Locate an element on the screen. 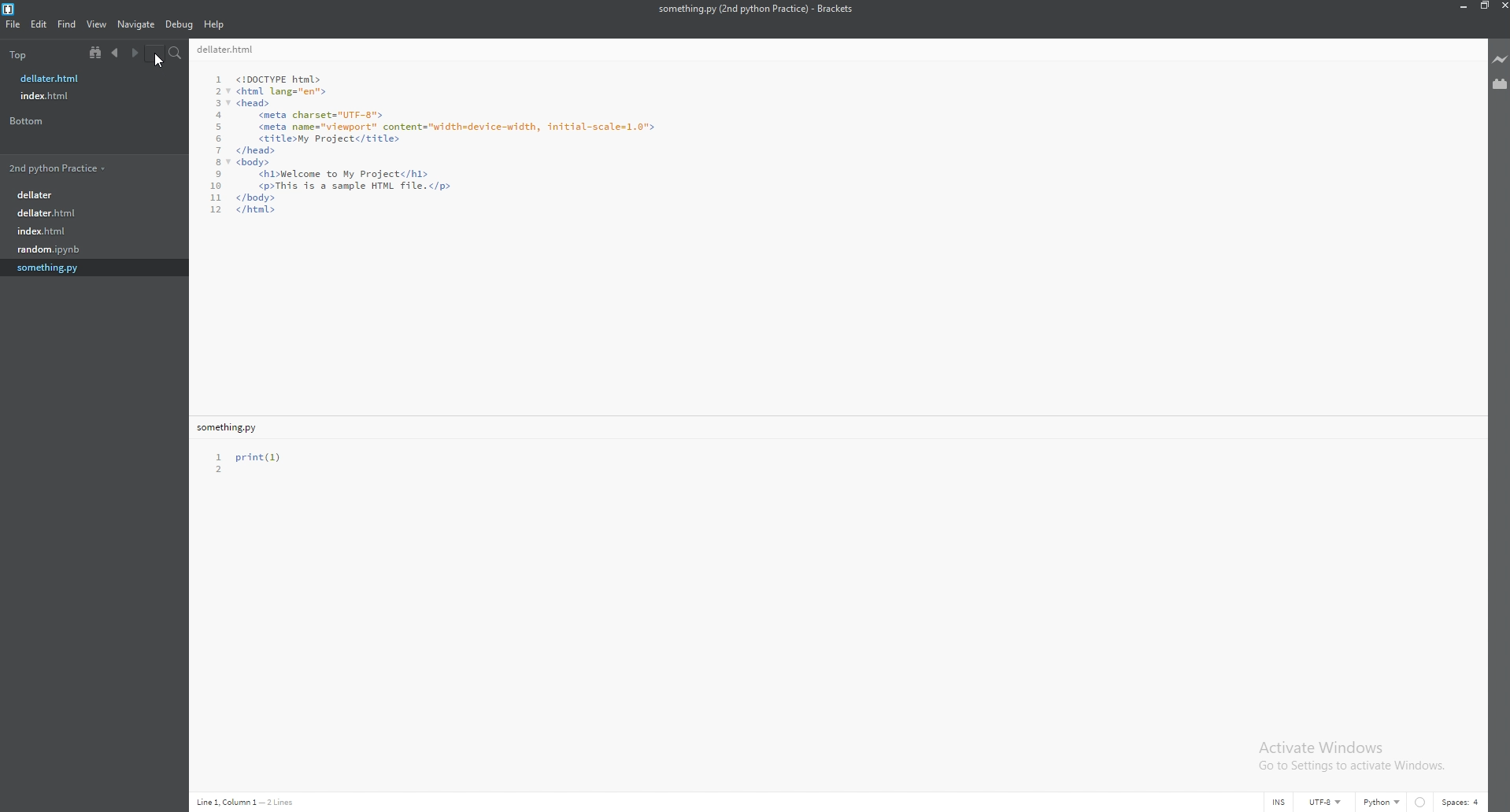  text is located at coordinates (254, 463).